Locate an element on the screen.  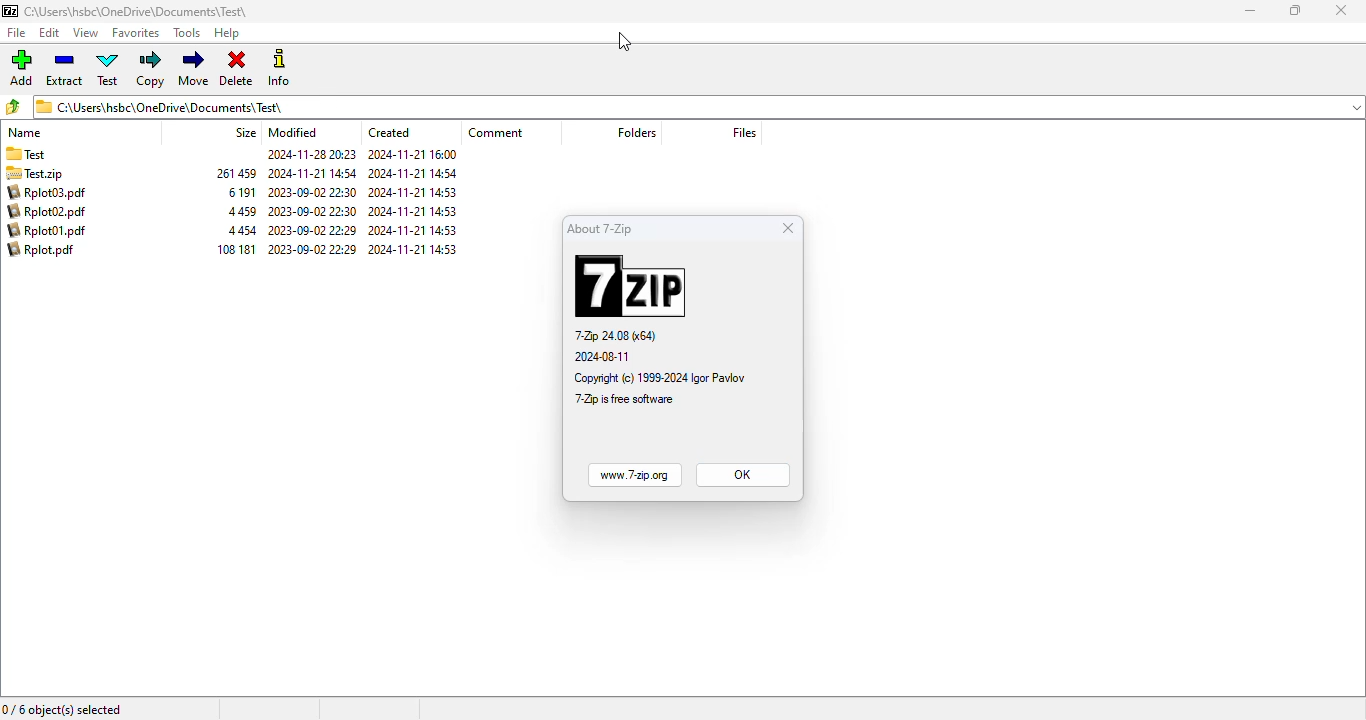
Test  is located at coordinates (56, 155).